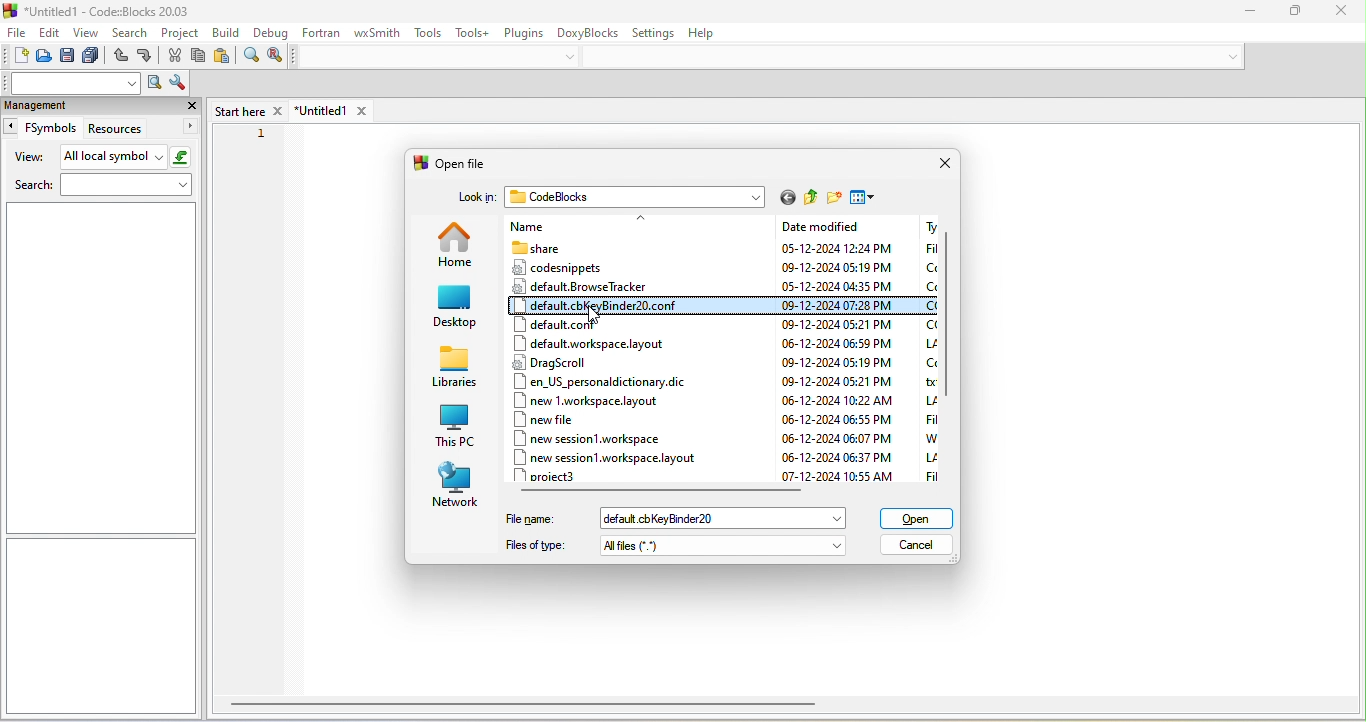  I want to click on new 1 workspace layout, so click(594, 399).